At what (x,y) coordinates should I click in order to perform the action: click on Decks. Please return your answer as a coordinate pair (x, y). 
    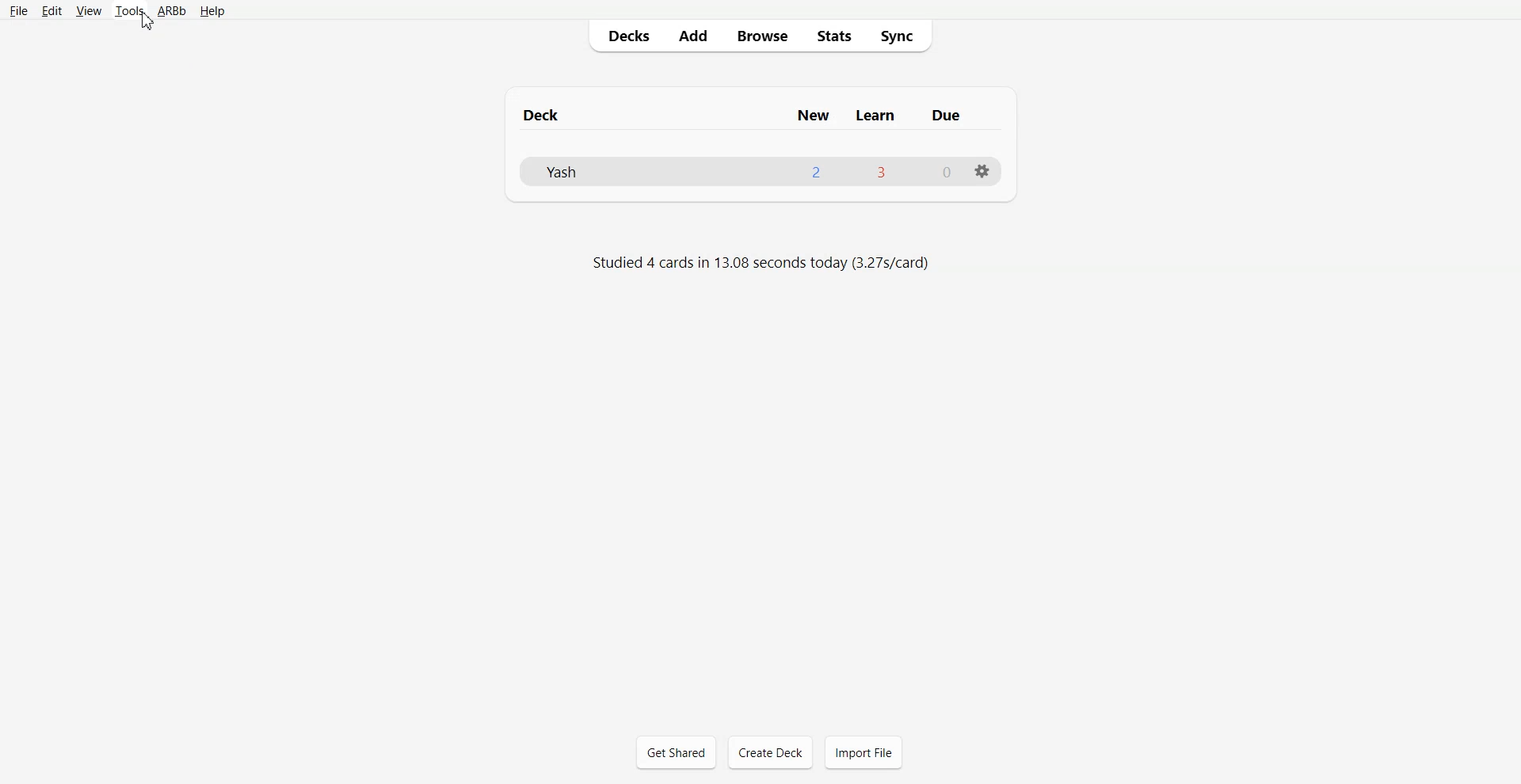
    Looking at the image, I should click on (625, 36).